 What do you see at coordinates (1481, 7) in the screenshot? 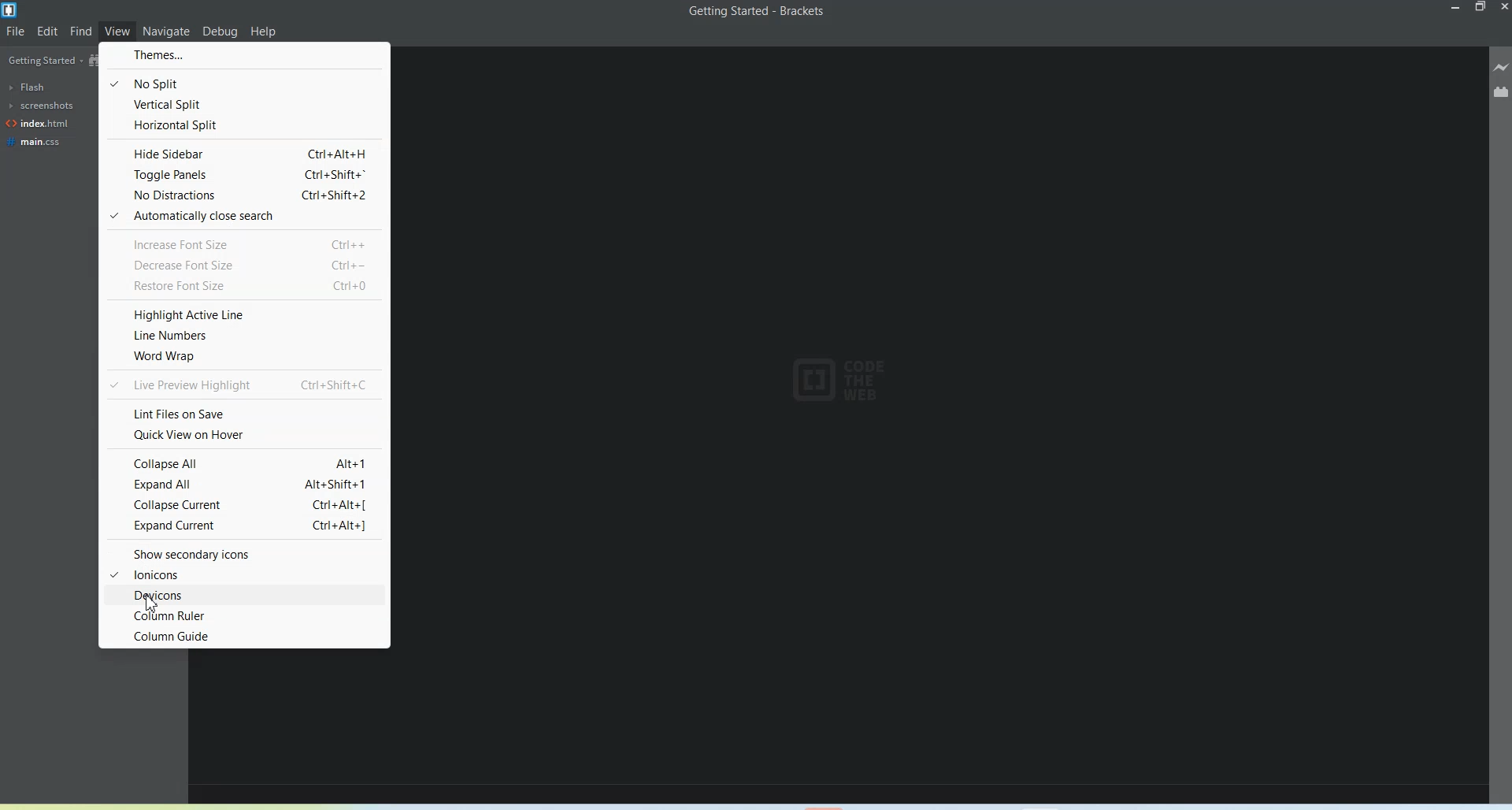
I see `Maximize` at bounding box center [1481, 7].